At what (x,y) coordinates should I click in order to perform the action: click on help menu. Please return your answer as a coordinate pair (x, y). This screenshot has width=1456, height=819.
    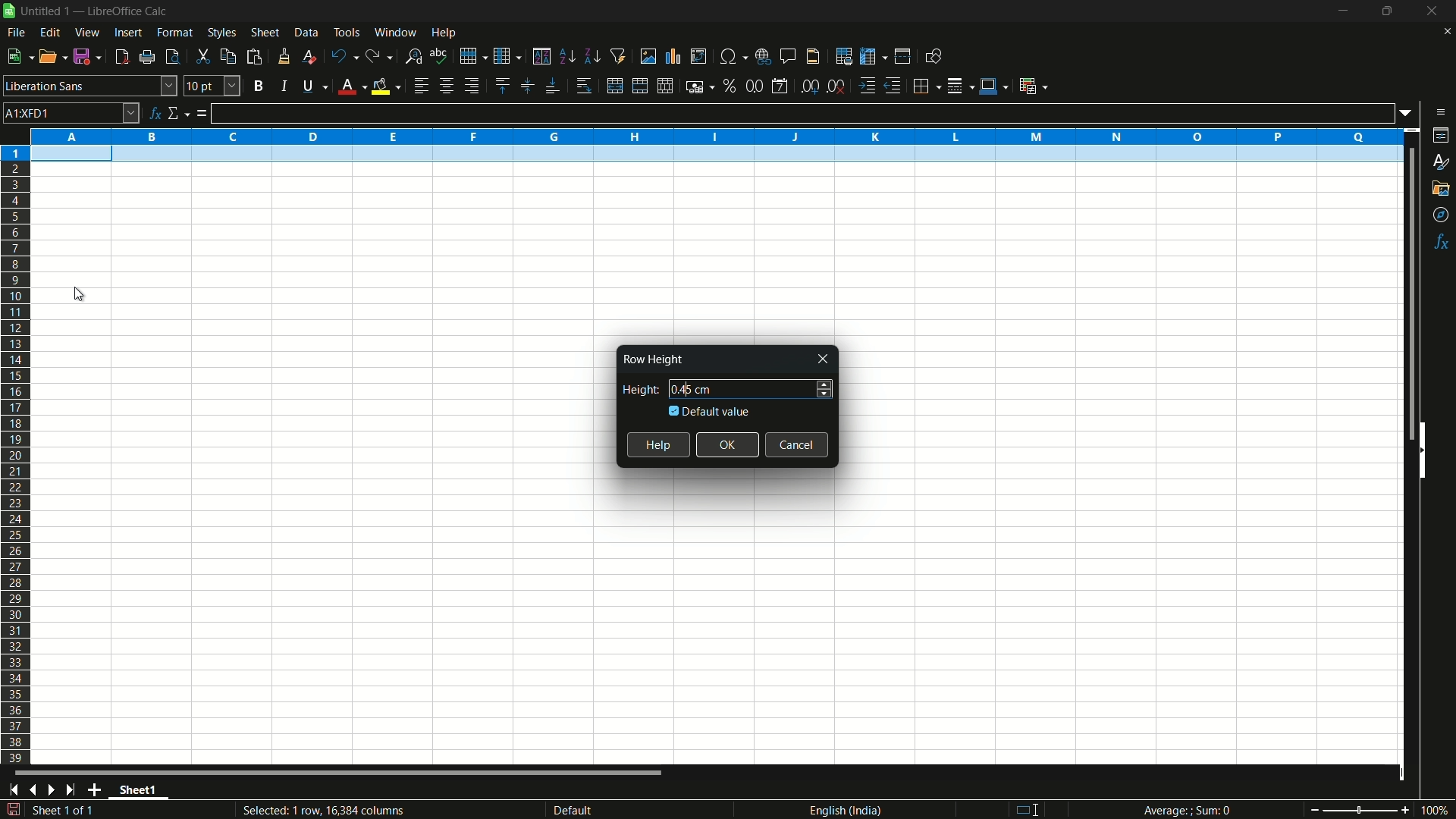
    Looking at the image, I should click on (445, 33).